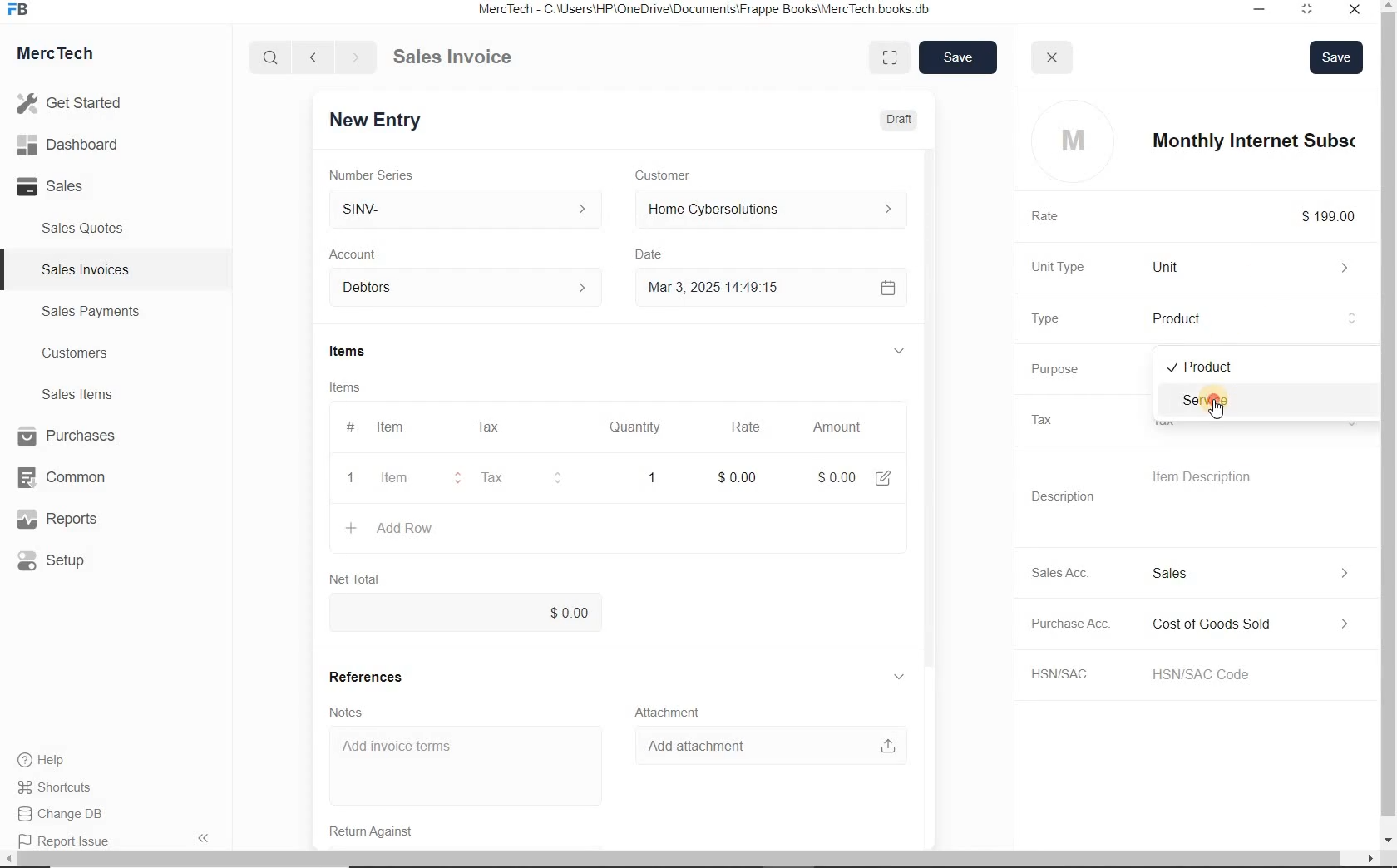 This screenshot has height=868, width=1397. Describe the element at coordinates (774, 210) in the screenshot. I see `Home Cyber Solutions` at that location.